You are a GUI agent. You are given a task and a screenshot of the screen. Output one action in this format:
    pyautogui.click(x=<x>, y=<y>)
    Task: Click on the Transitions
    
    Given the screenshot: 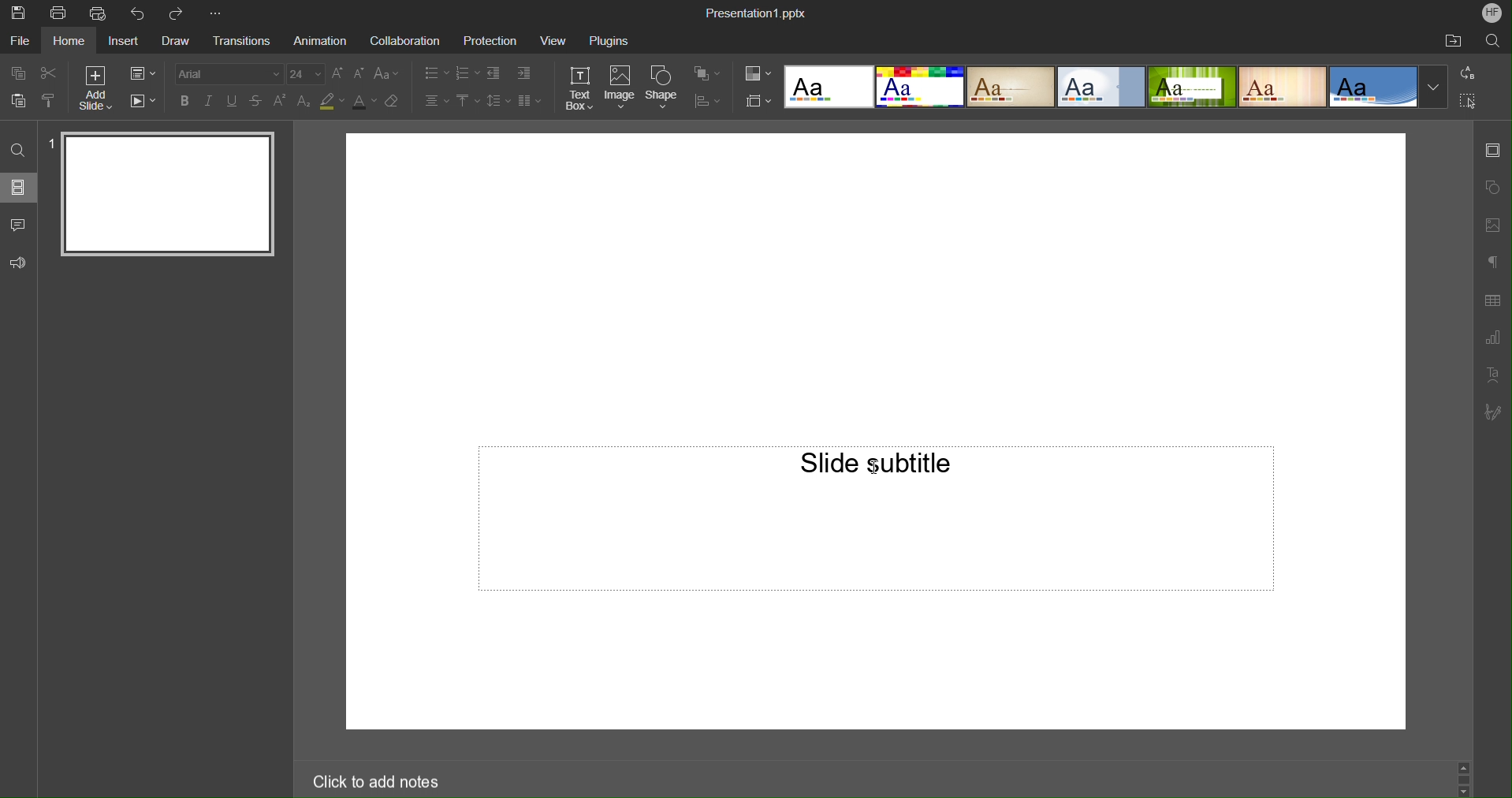 What is the action you would take?
    pyautogui.click(x=238, y=41)
    